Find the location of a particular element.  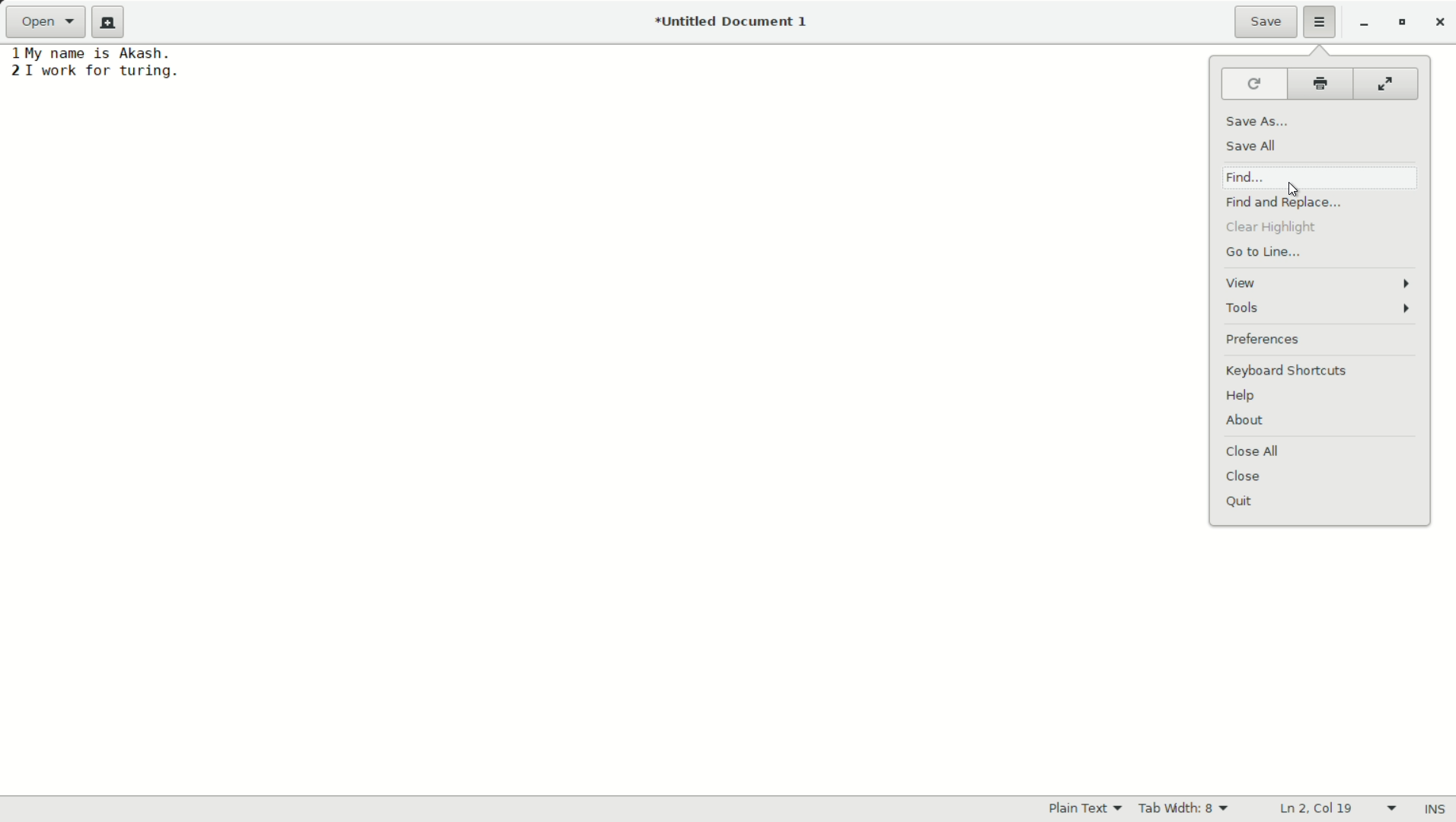

tools is located at coordinates (1321, 310).